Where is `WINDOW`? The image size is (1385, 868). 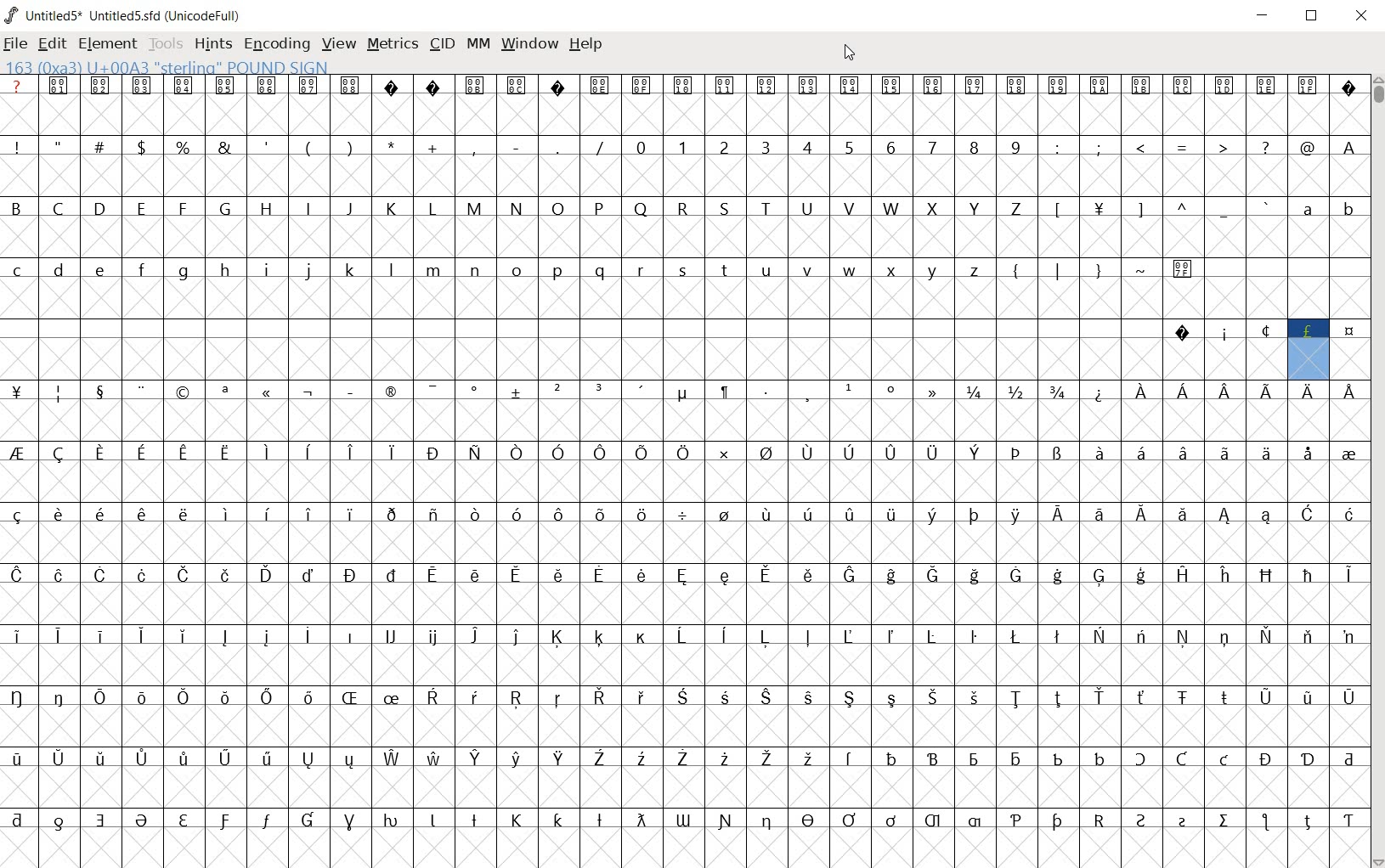
WINDOW is located at coordinates (531, 45).